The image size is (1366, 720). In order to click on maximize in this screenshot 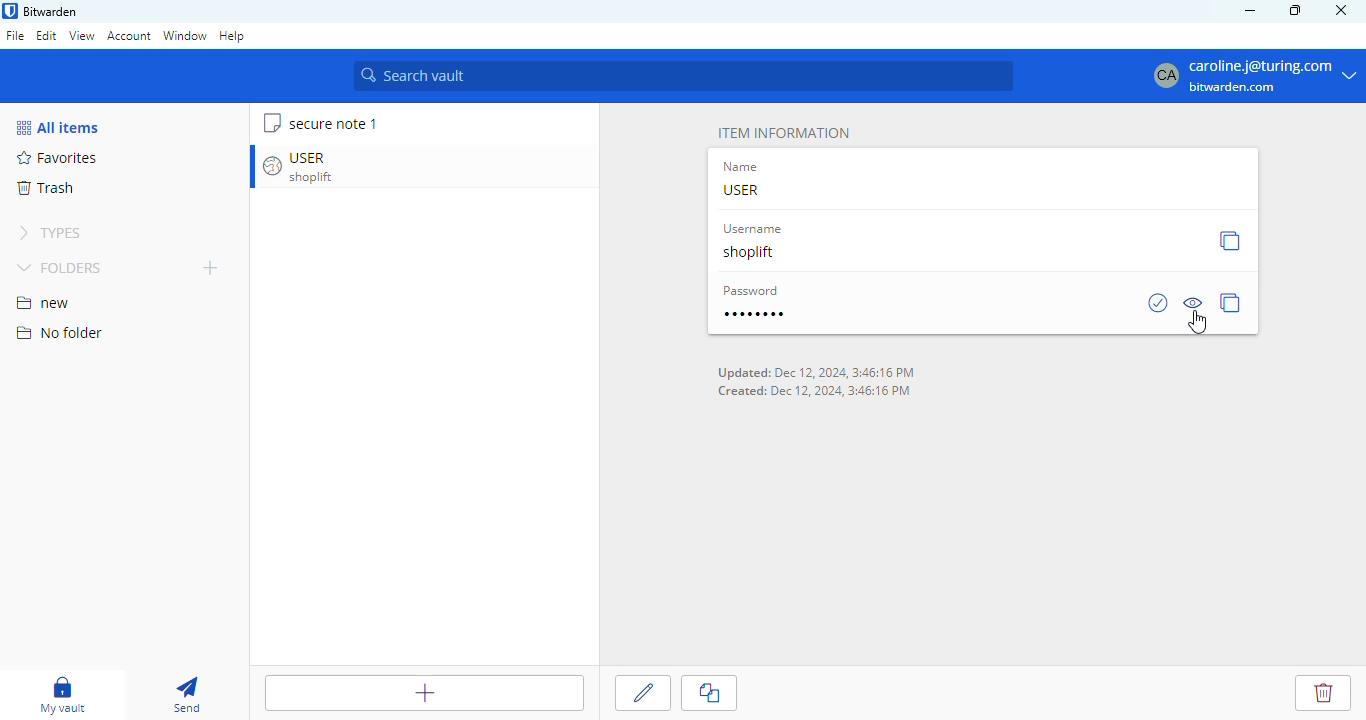, I will do `click(1295, 10)`.